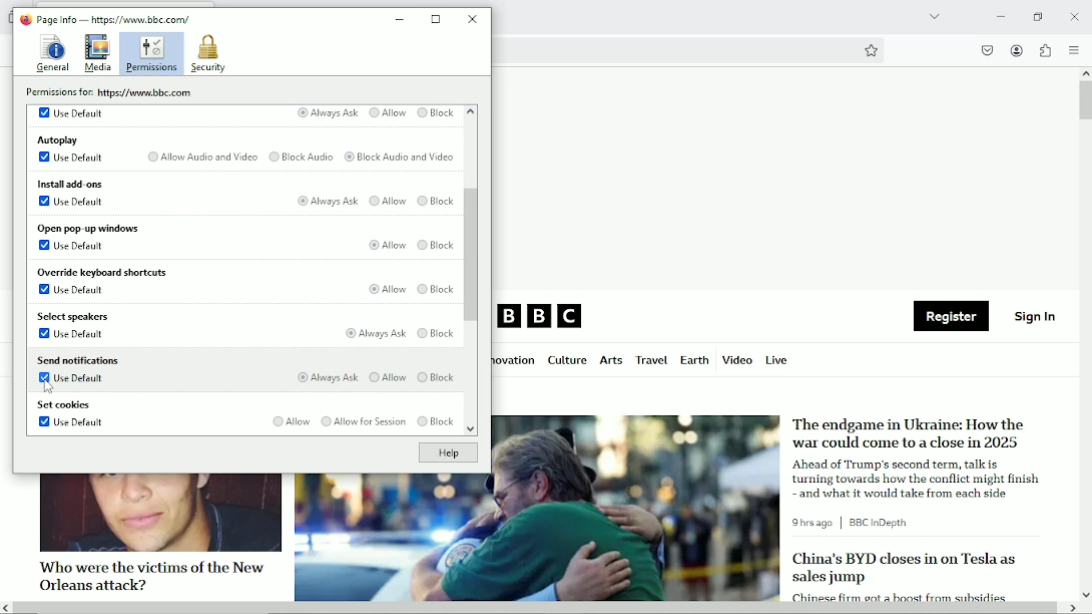 This screenshot has height=614, width=1092. What do you see at coordinates (1044, 50) in the screenshot?
I see `Extensions` at bounding box center [1044, 50].